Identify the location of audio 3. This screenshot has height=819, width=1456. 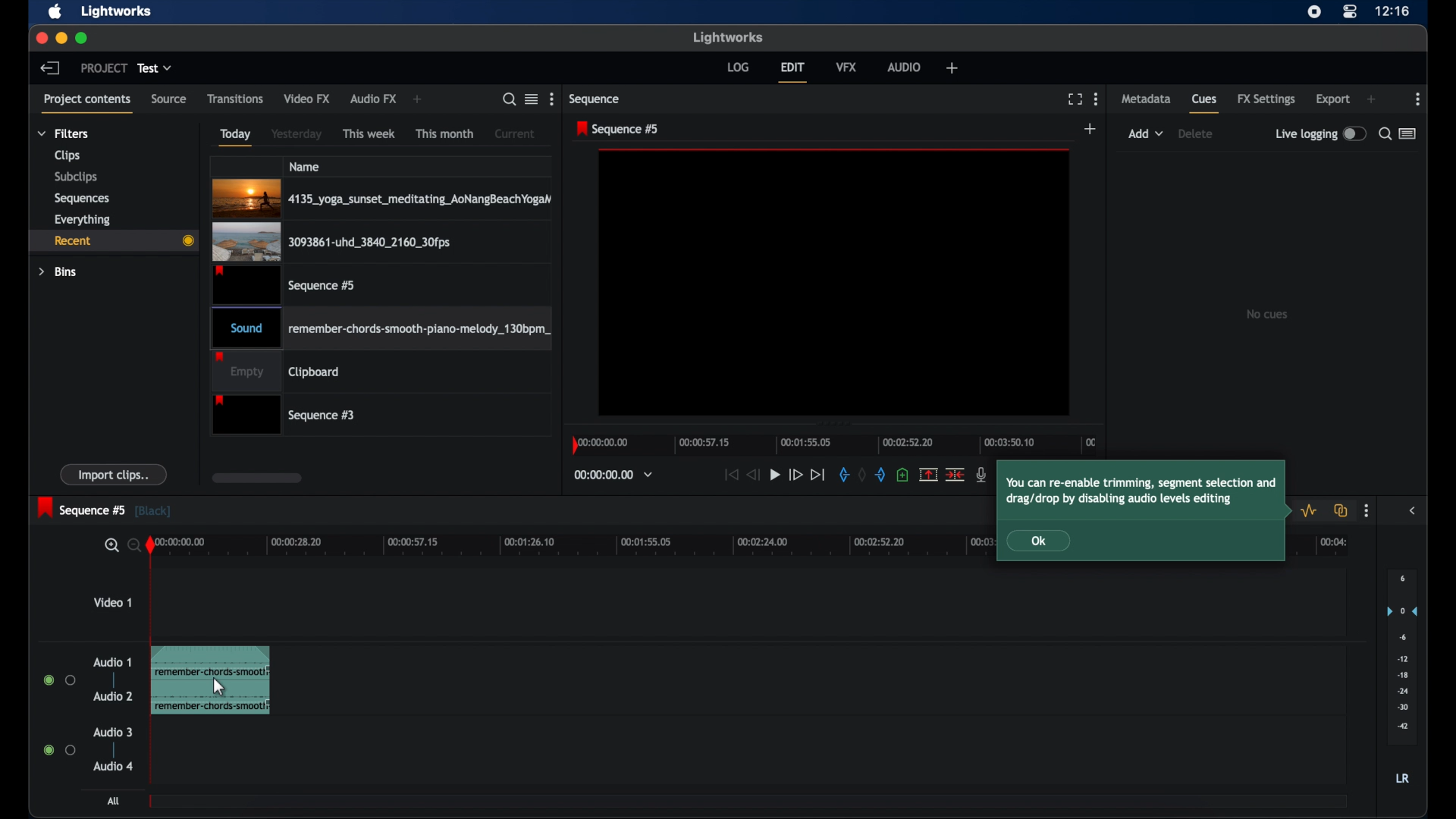
(114, 733).